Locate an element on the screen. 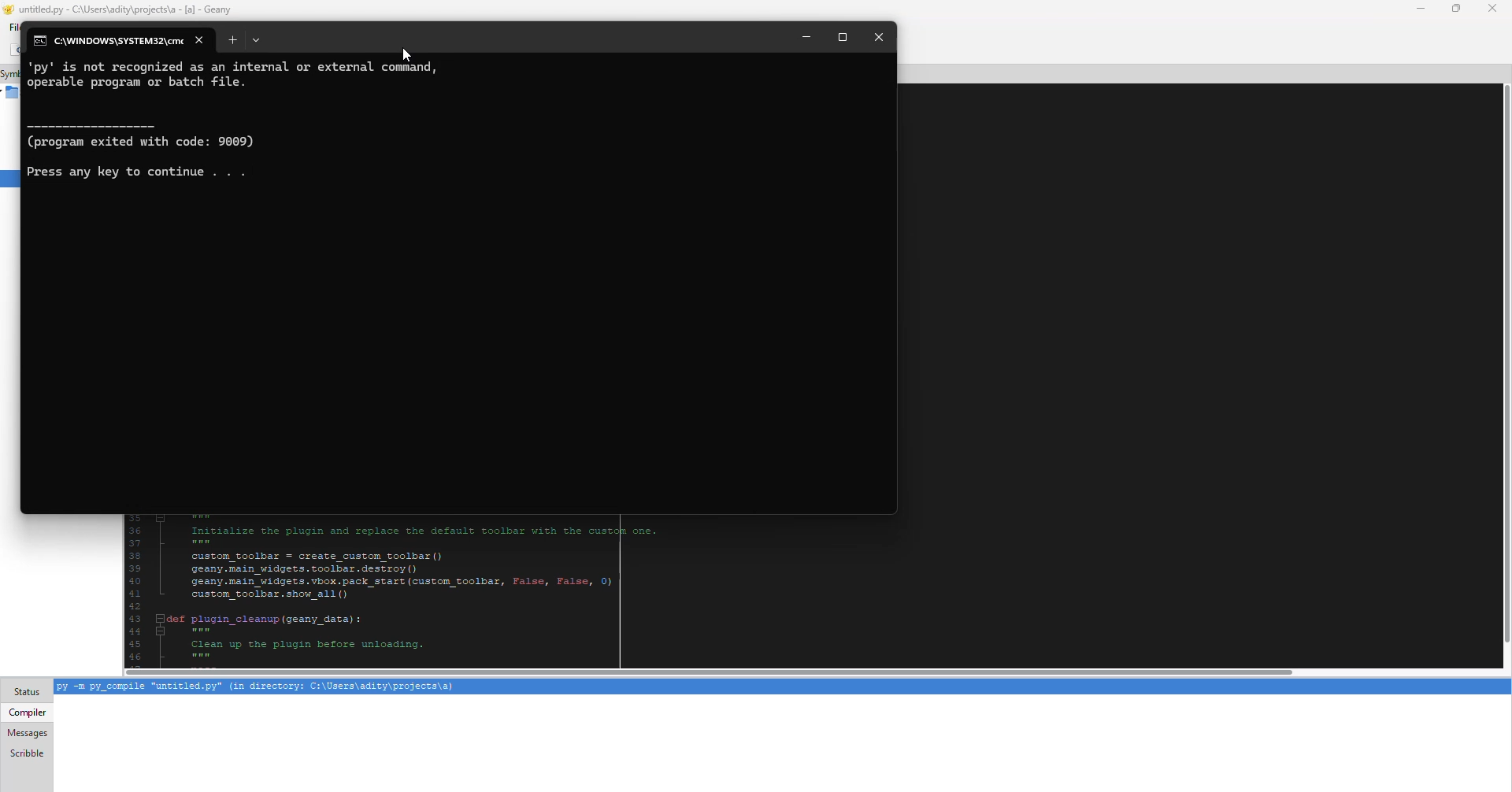 The height and width of the screenshot is (792, 1512). info is located at coordinates (154, 135).